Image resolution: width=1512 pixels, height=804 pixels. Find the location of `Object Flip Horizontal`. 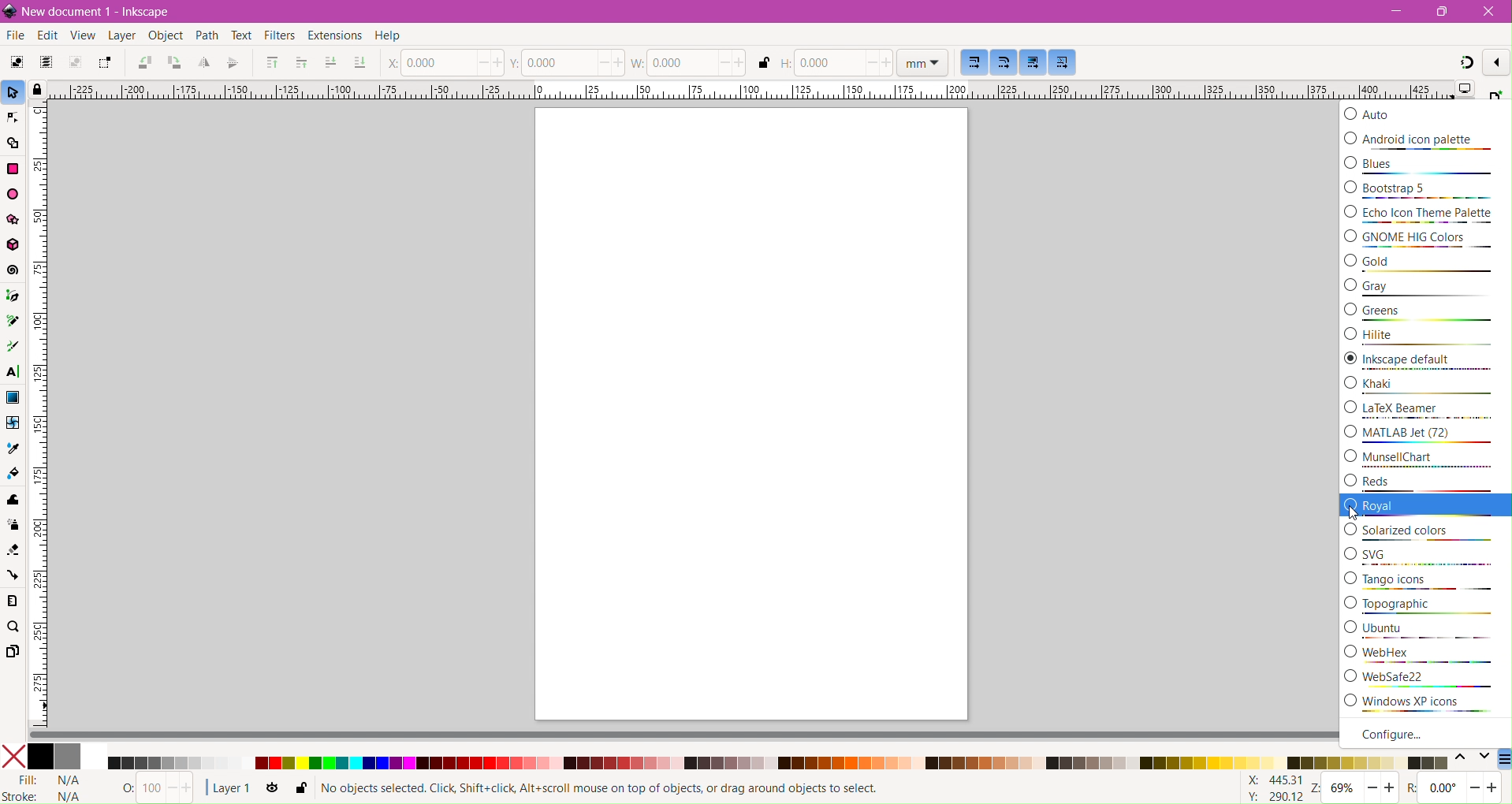

Object Flip Horizontal is located at coordinates (203, 65).